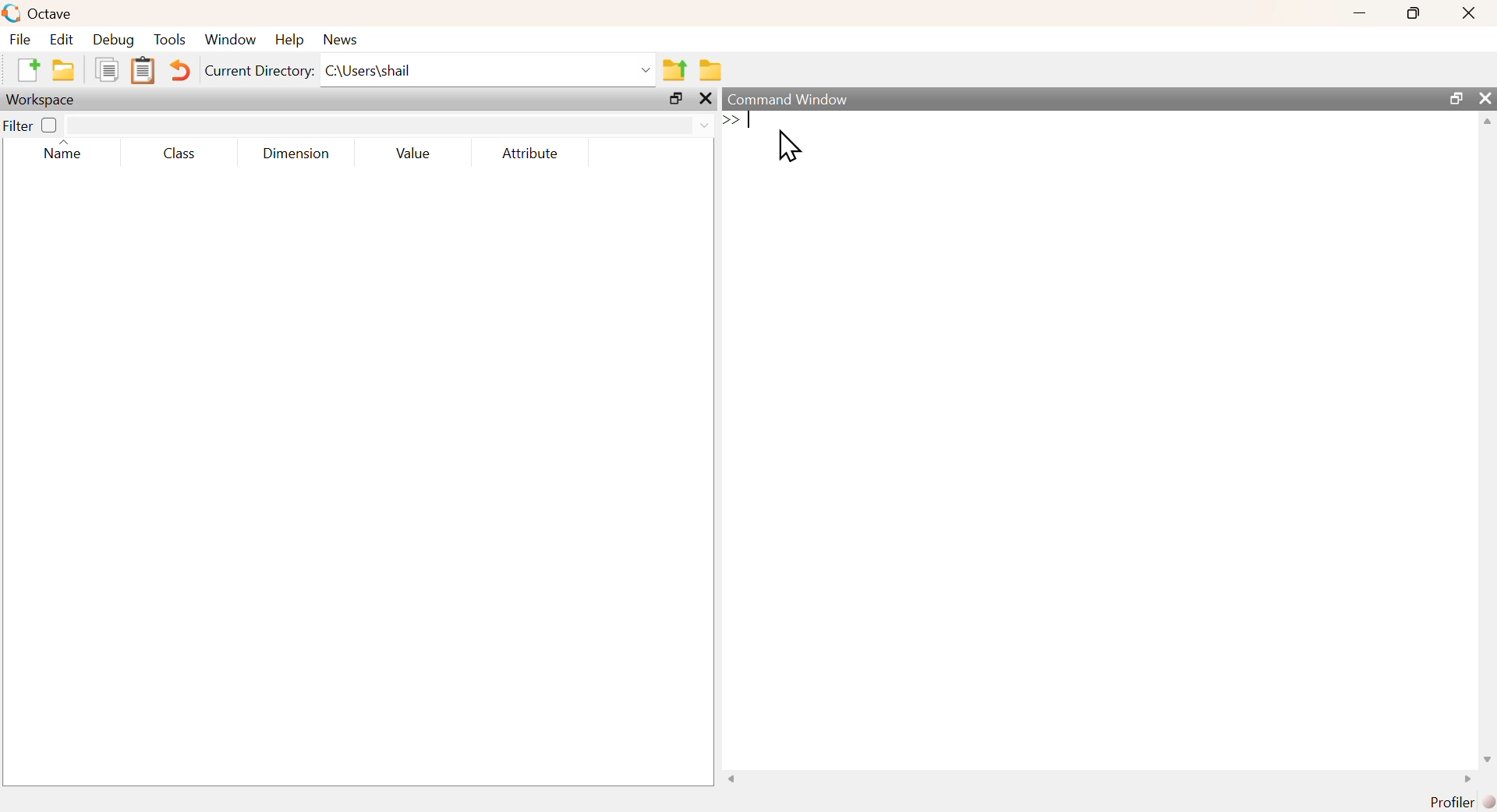 The height and width of the screenshot is (812, 1497). Describe the element at coordinates (1360, 13) in the screenshot. I see `minimize` at that location.